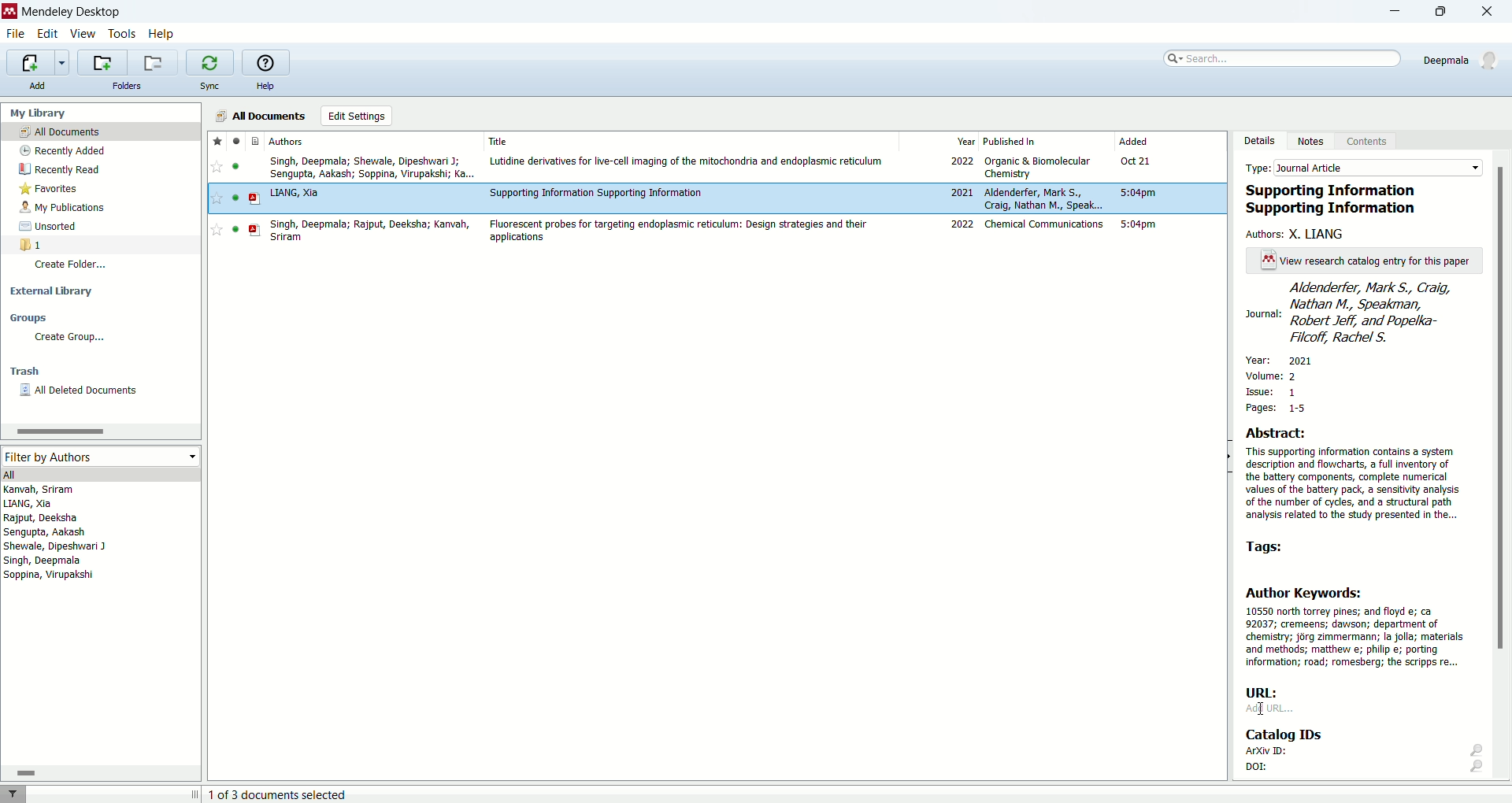  What do you see at coordinates (31, 317) in the screenshot?
I see `groups` at bounding box center [31, 317].